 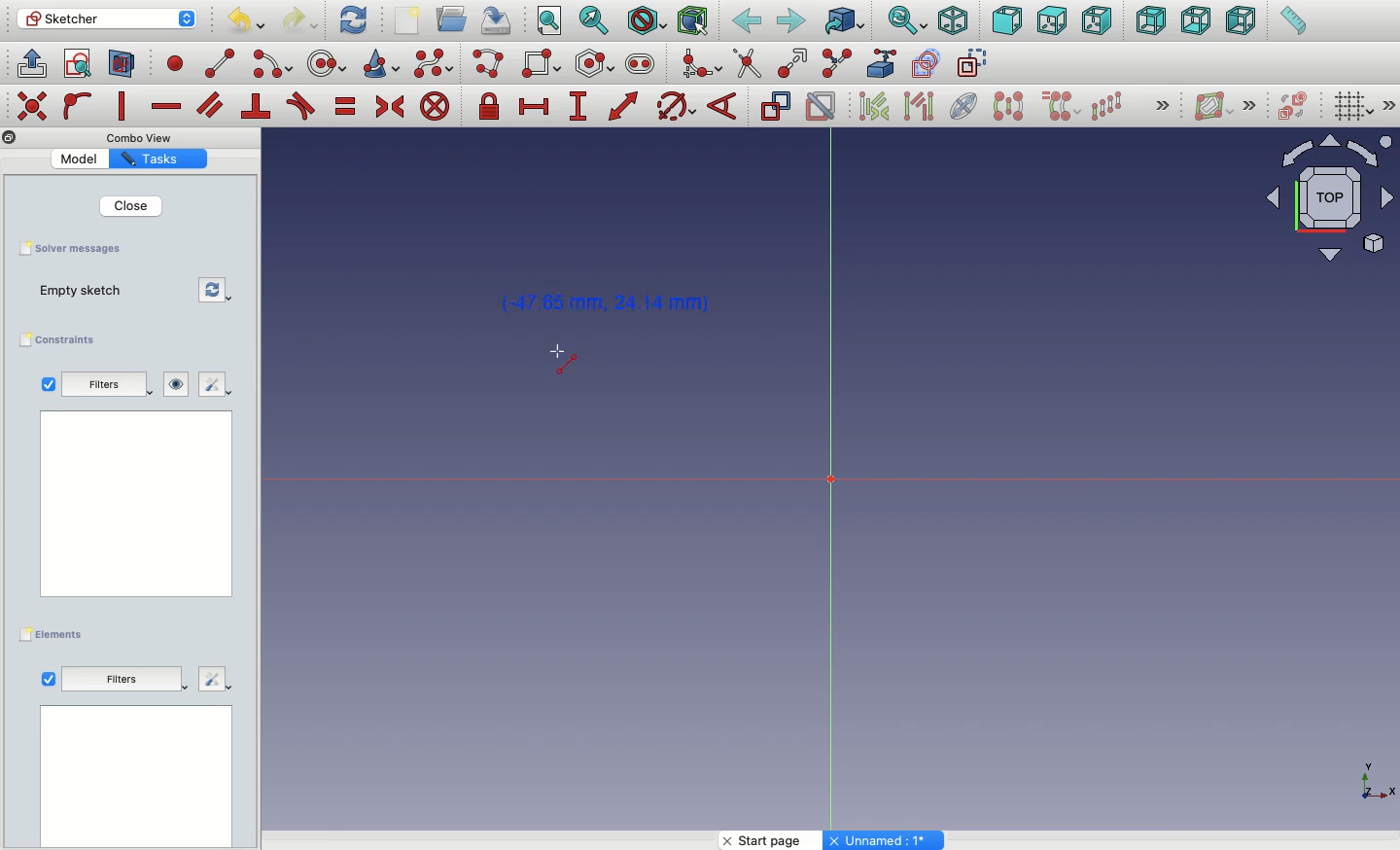 What do you see at coordinates (501, 20) in the screenshot?
I see `Save` at bounding box center [501, 20].